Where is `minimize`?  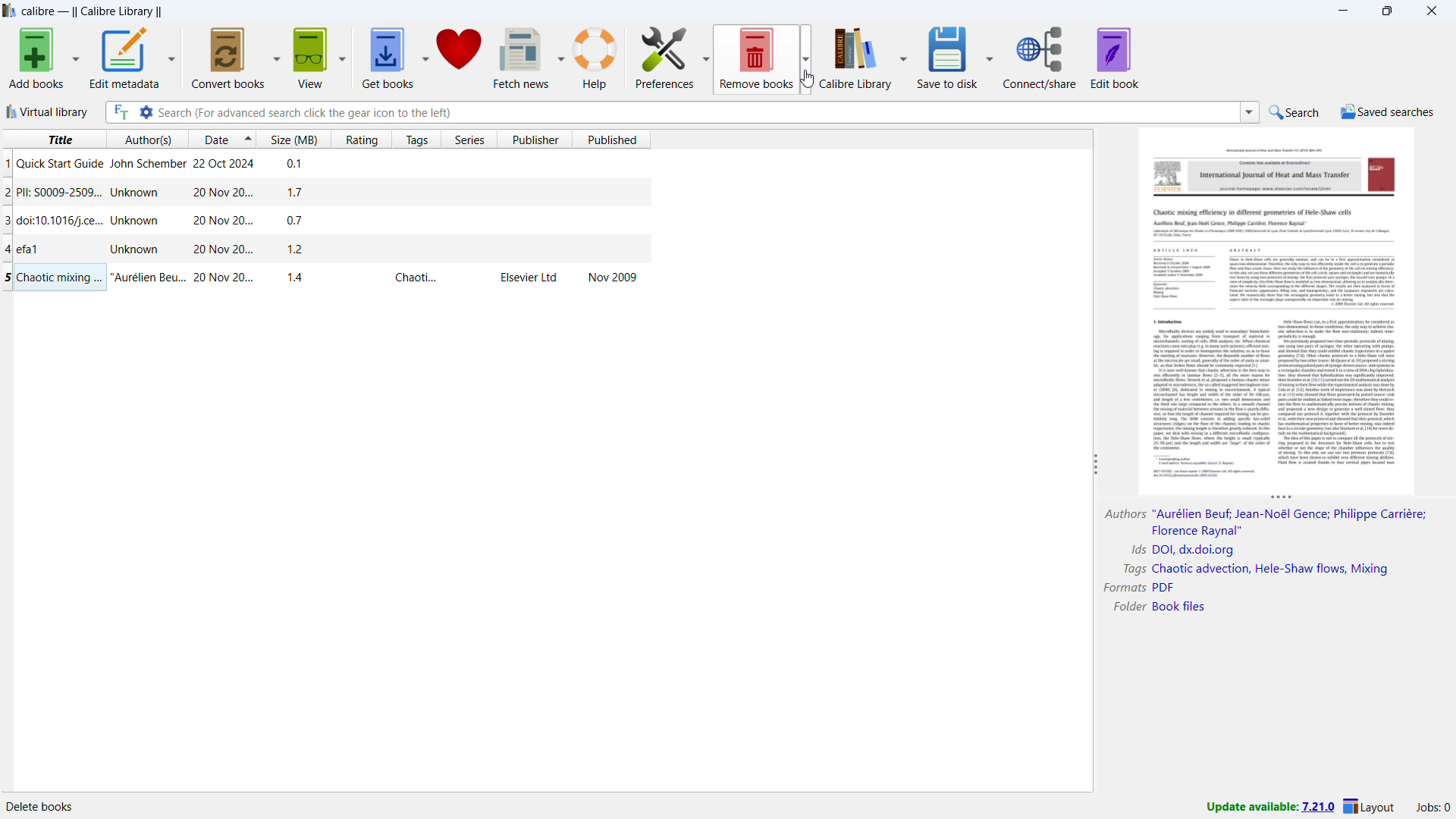
minimize is located at coordinates (1342, 11).